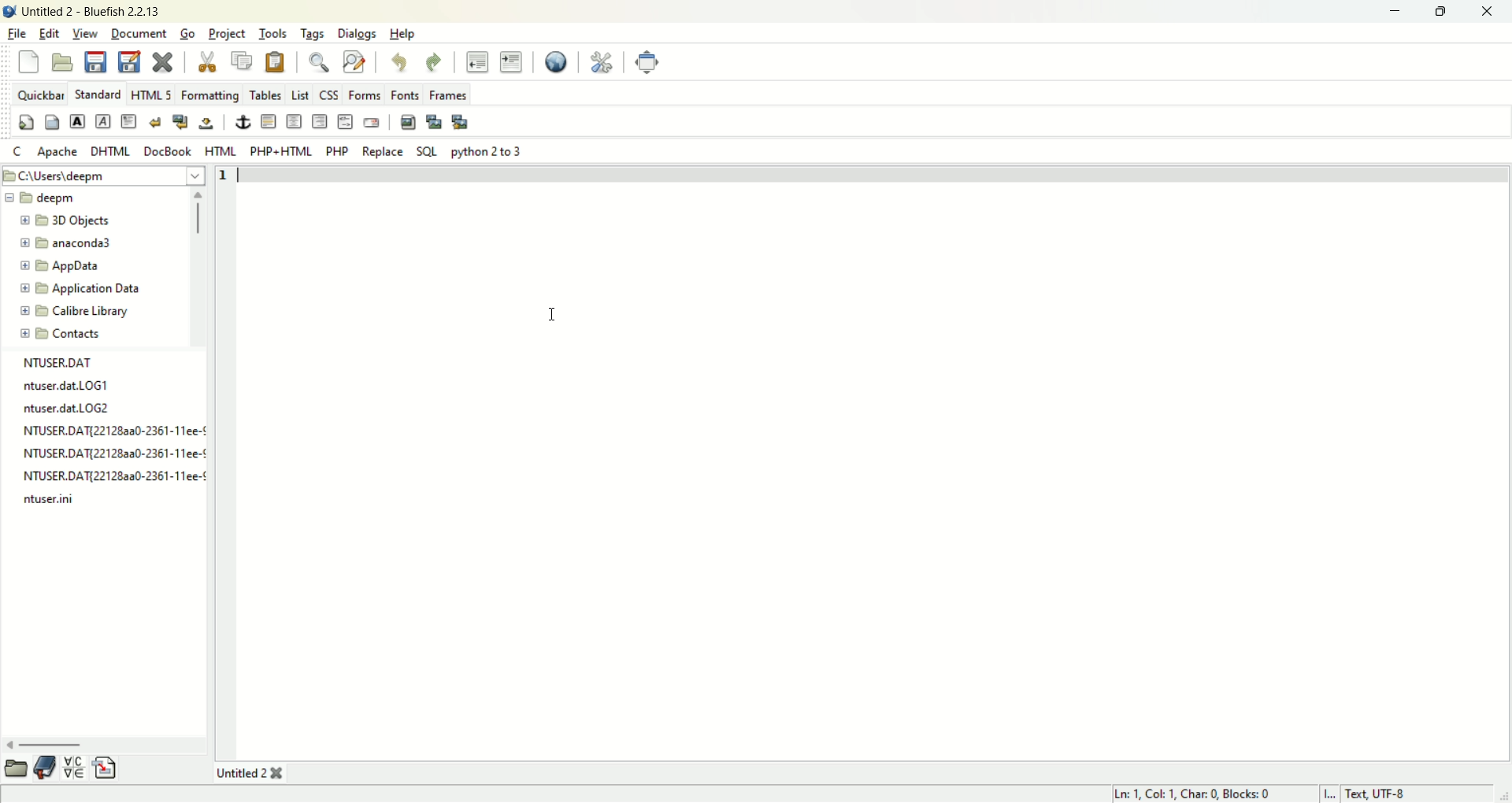 The image size is (1512, 803). Describe the element at coordinates (51, 122) in the screenshot. I see `body` at that location.